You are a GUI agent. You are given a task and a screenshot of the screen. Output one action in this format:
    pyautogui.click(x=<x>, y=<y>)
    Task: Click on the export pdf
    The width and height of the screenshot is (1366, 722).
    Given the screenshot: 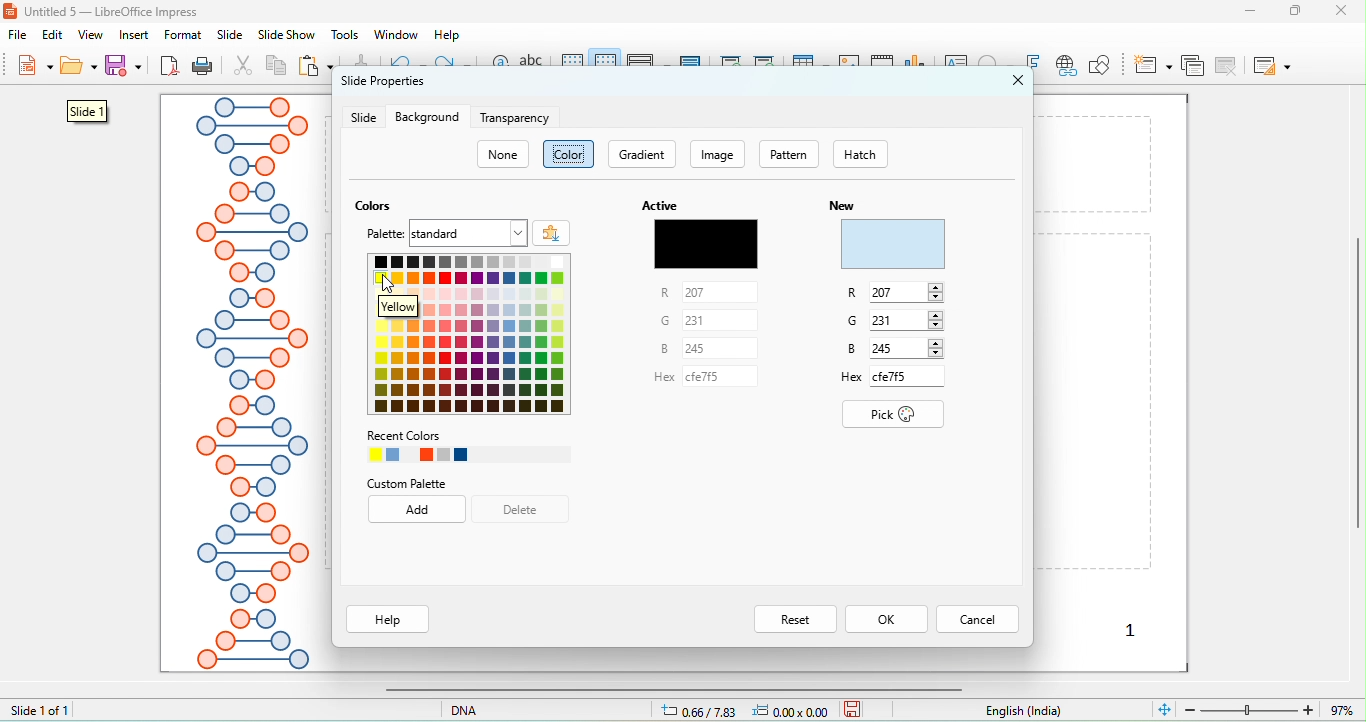 What is the action you would take?
    pyautogui.click(x=170, y=67)
    